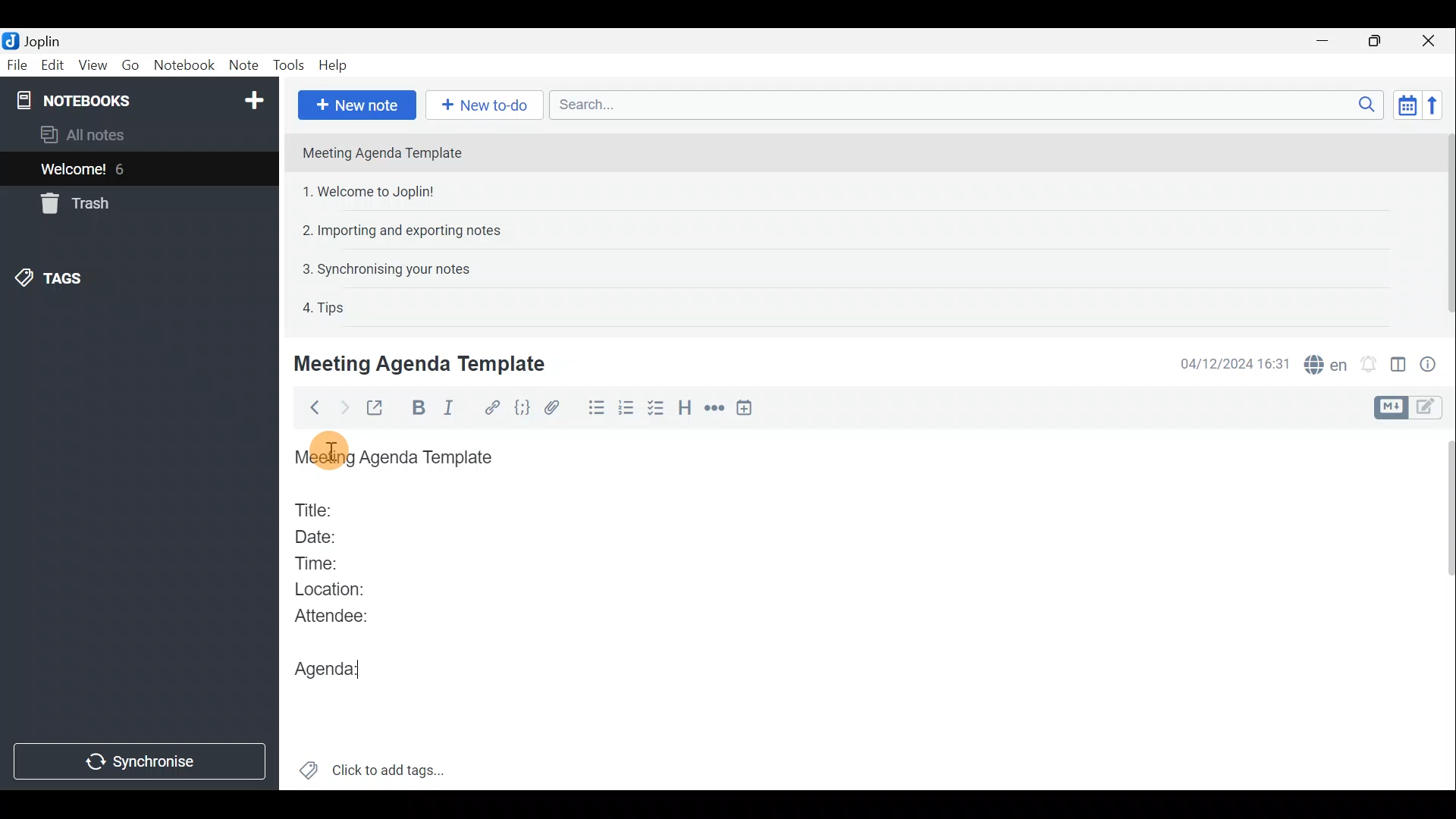 The height and width of the screenshot is (819, 1456). I want to click on Toggle editors, so click(1389, 408).